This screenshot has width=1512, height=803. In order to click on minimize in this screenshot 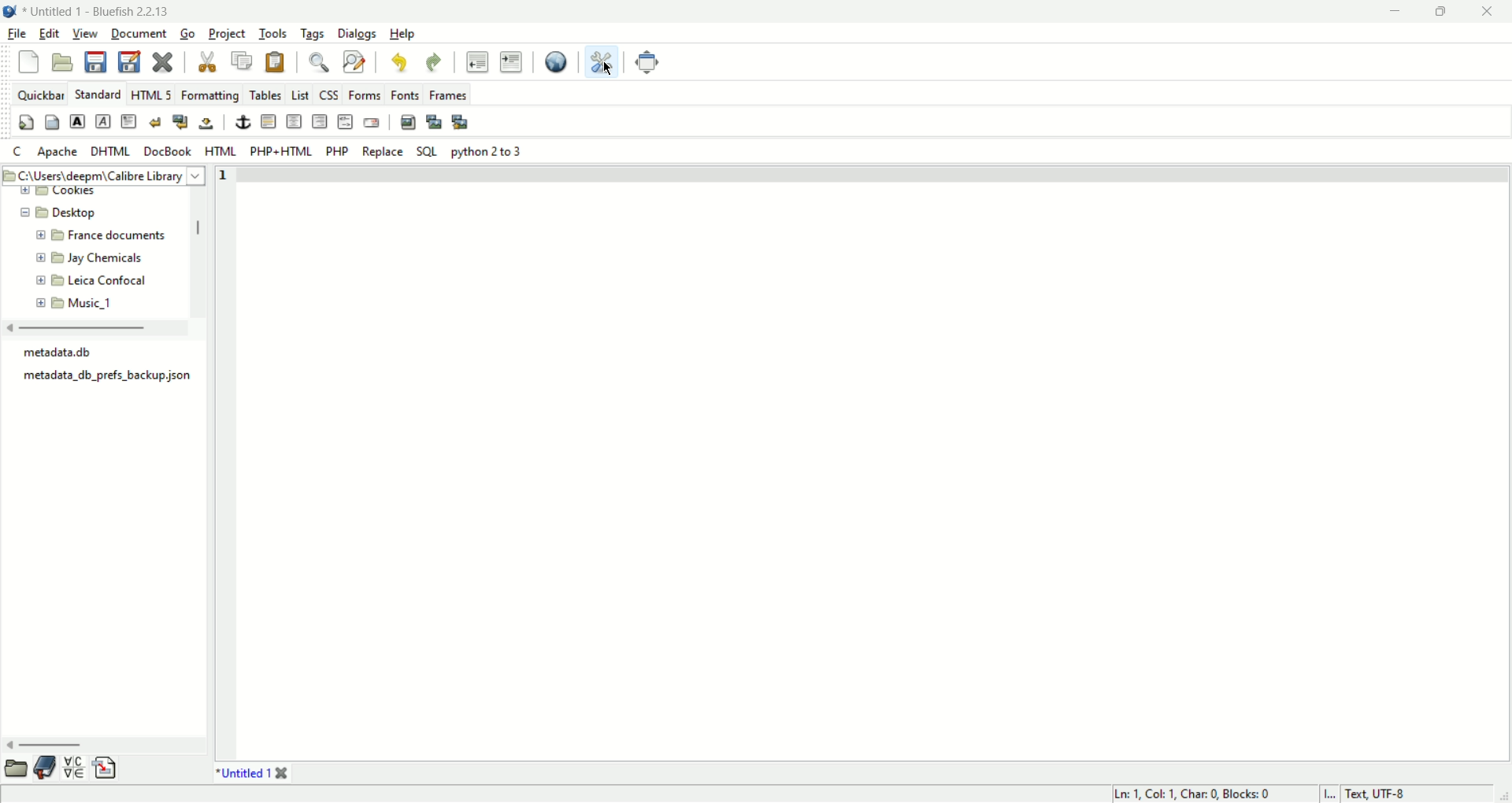, I will do `click(1398, 13)`.